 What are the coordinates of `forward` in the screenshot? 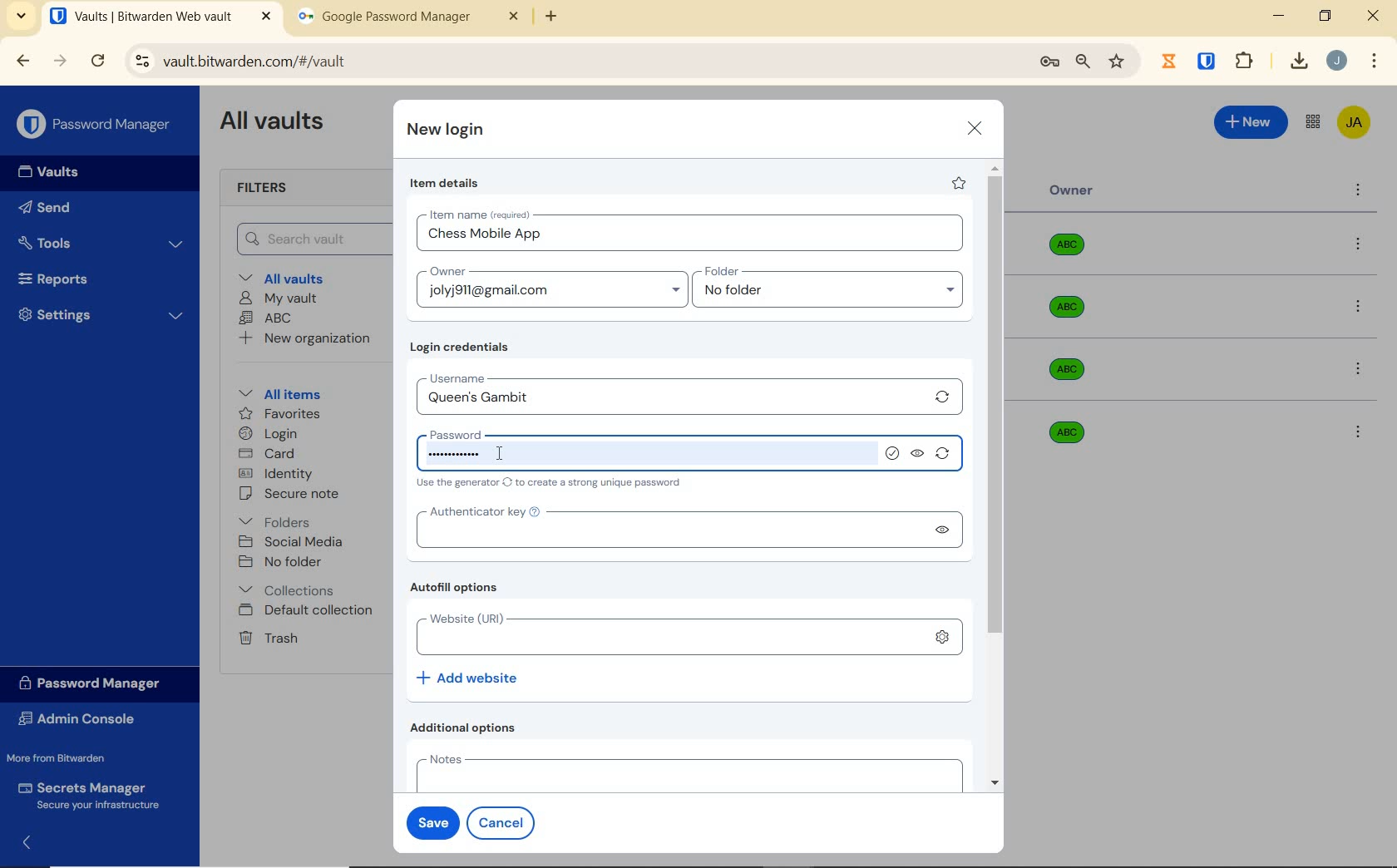 It's located at (61, 61).